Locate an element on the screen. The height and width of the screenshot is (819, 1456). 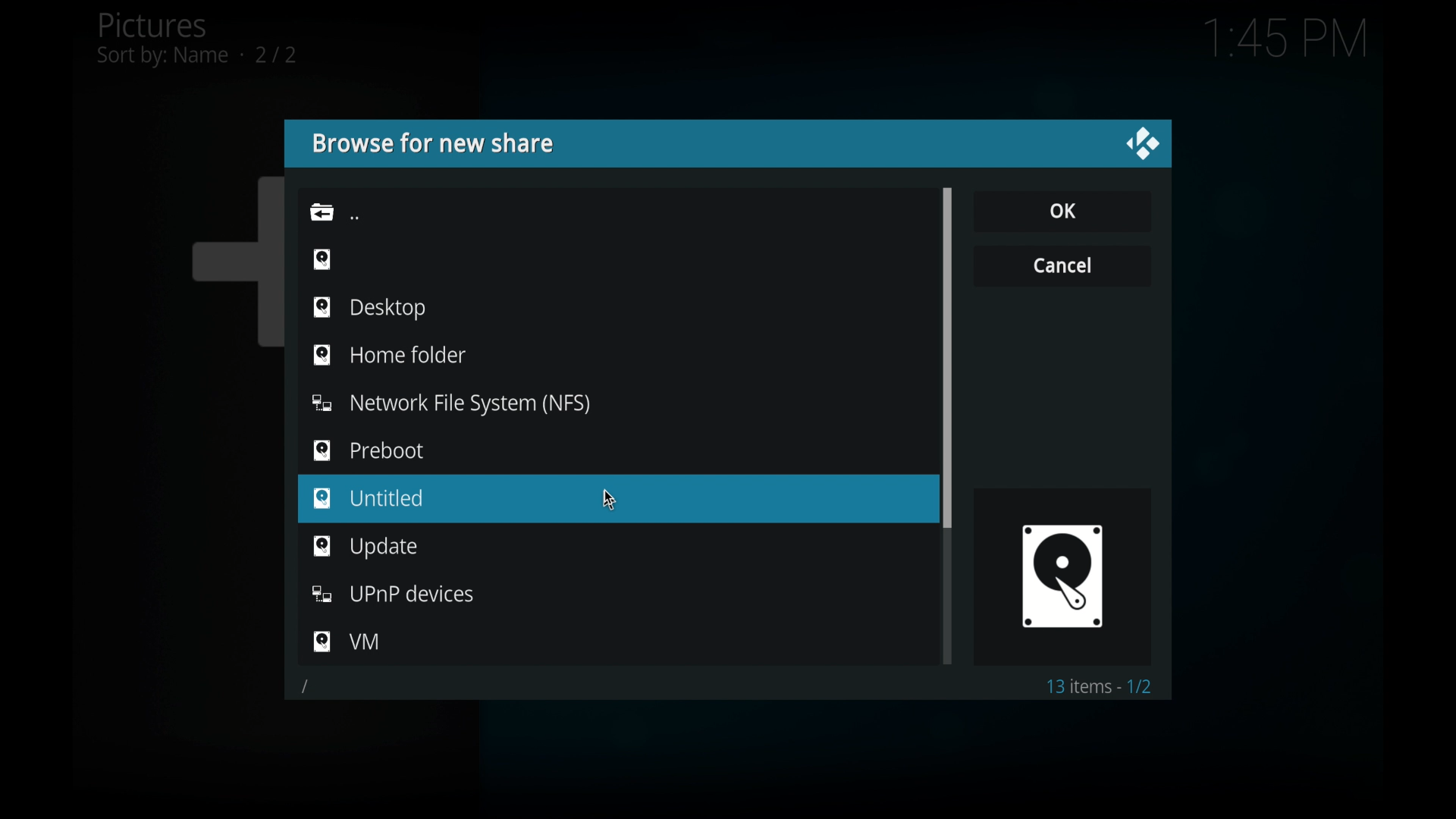
back icon is located at coordinates (334, 211).